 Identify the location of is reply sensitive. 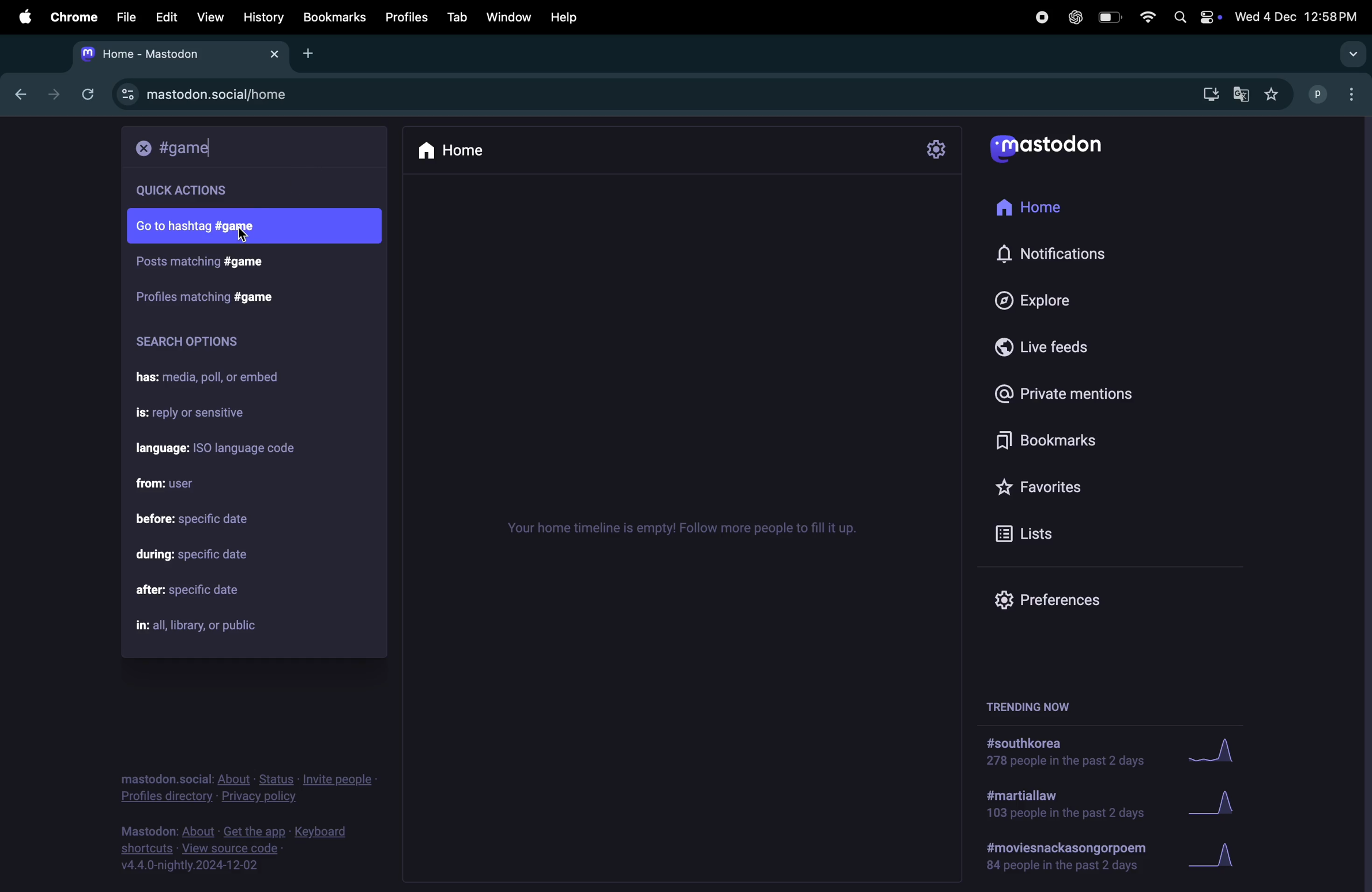
(201, 415).